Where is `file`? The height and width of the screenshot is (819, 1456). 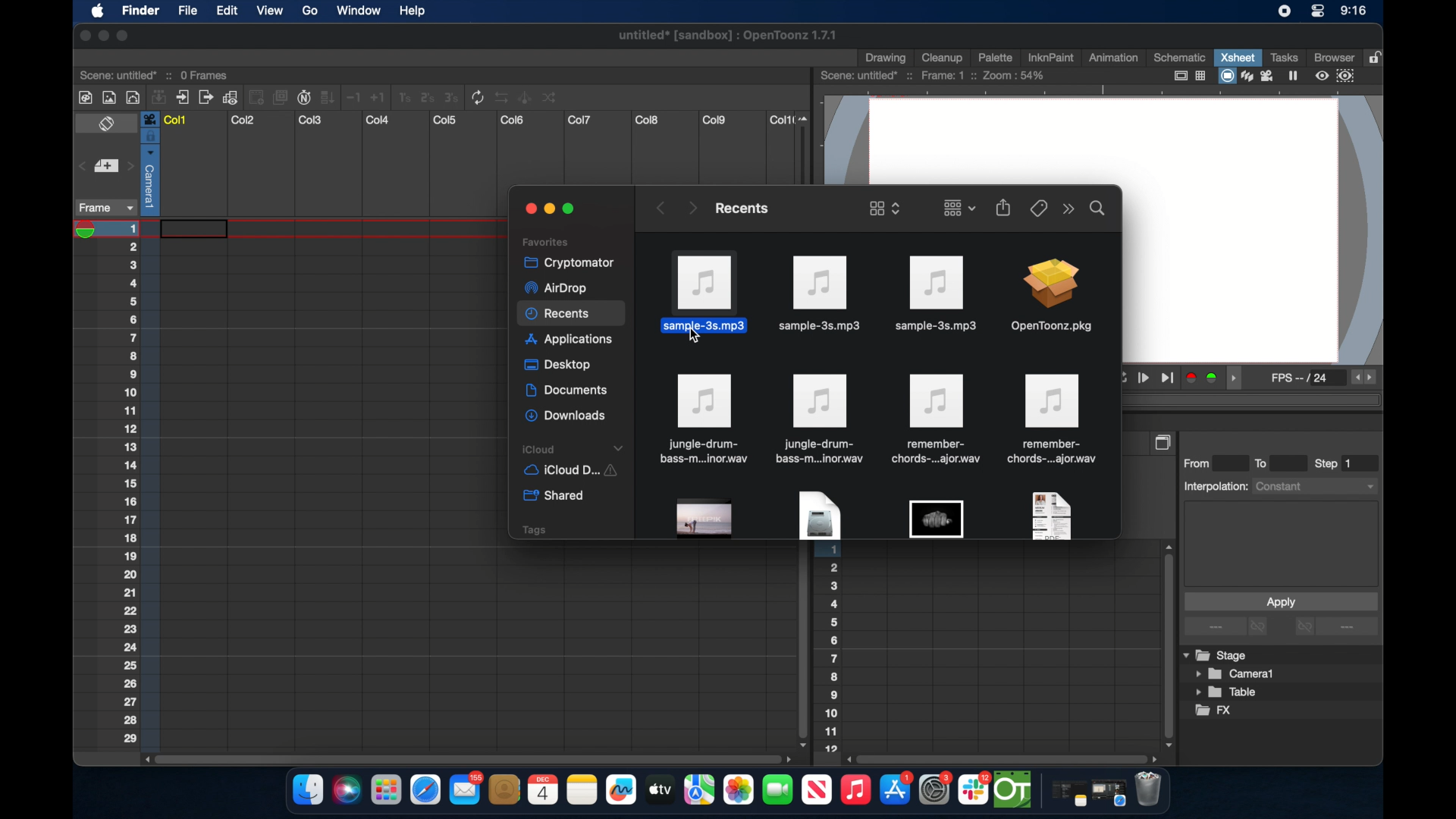
file is located at coordinates (1054, 419).